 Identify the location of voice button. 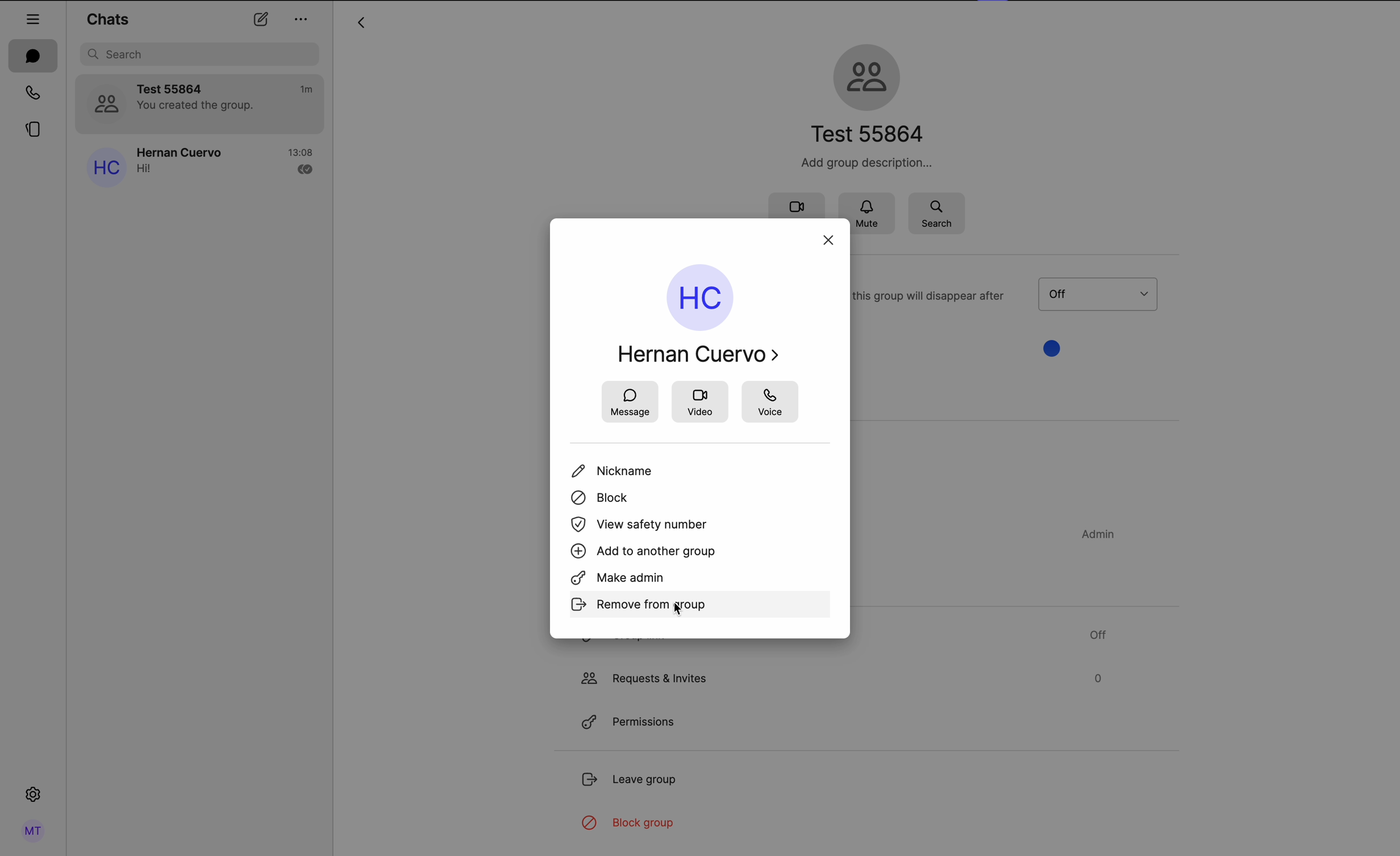
(770, 401).